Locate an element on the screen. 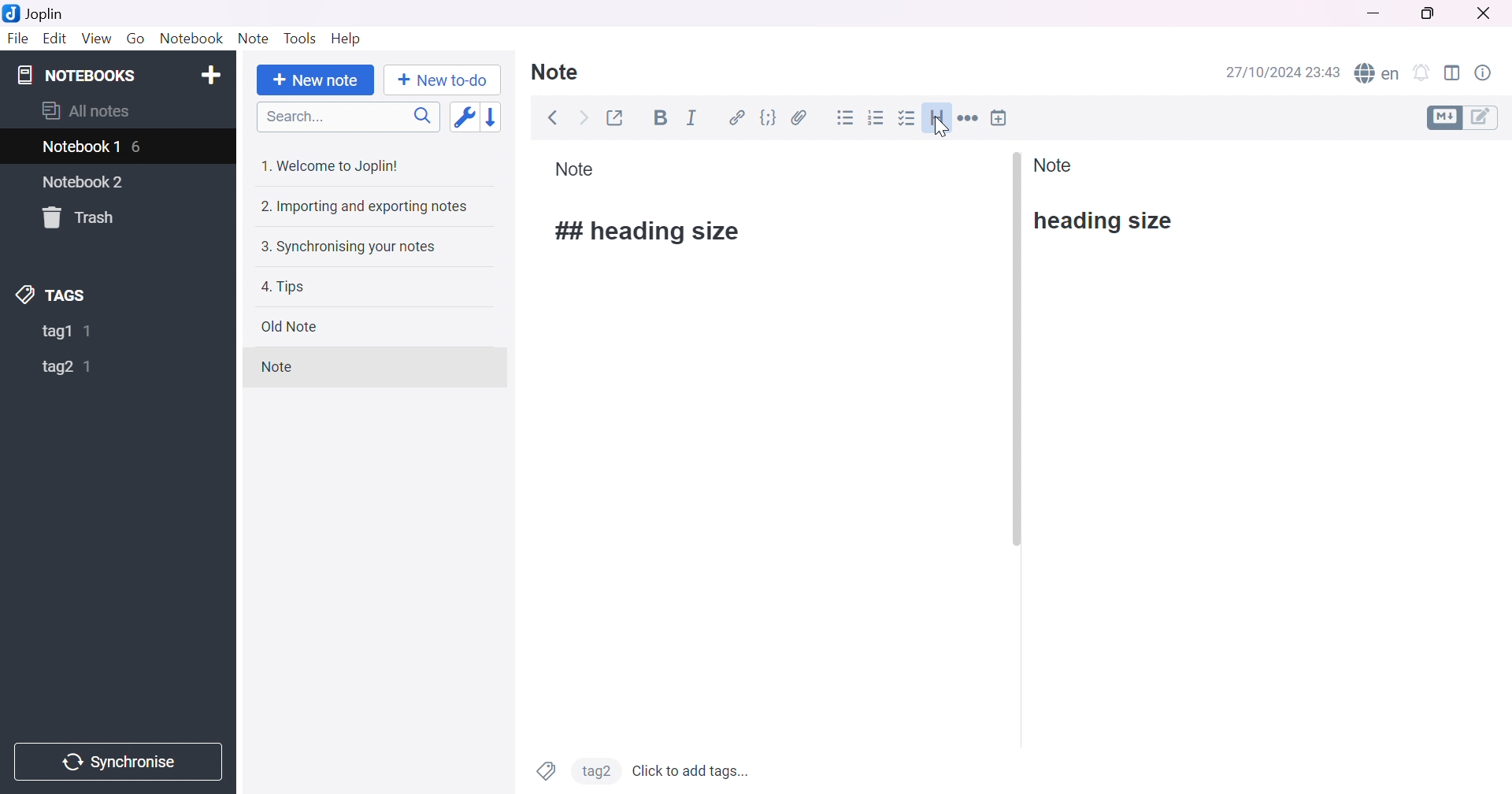 The height and width of the screenshot is (794, 1512). File is located at coordinates (18, 39).